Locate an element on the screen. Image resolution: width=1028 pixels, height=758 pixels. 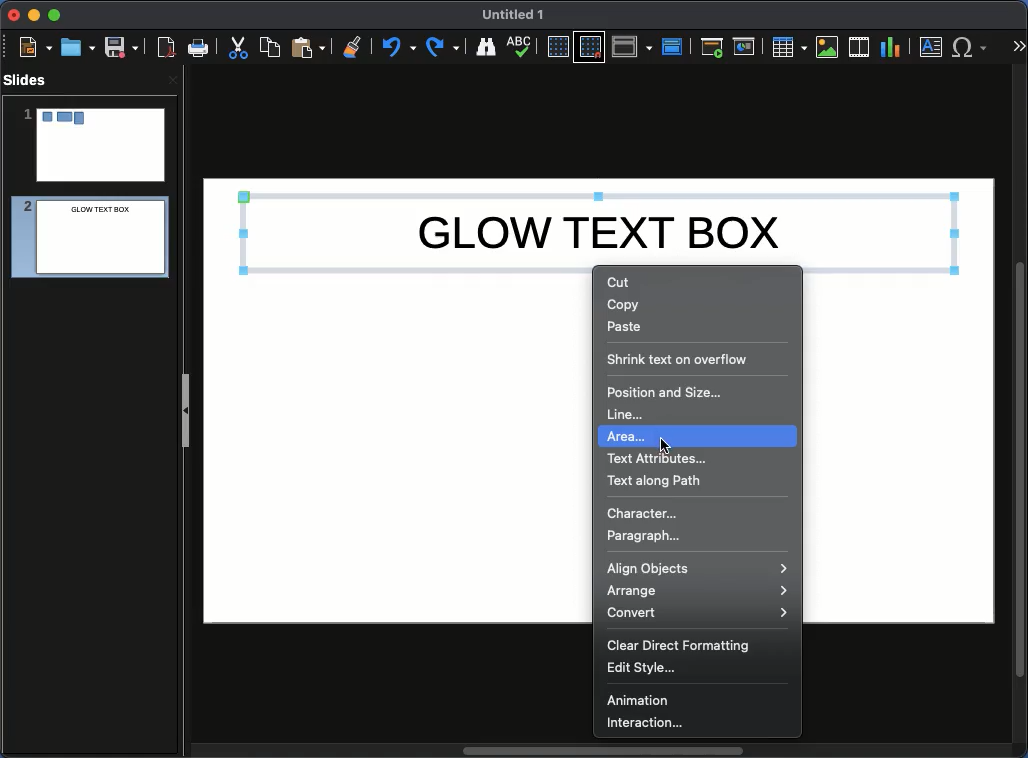
Line is located at coordinates (628, 414).